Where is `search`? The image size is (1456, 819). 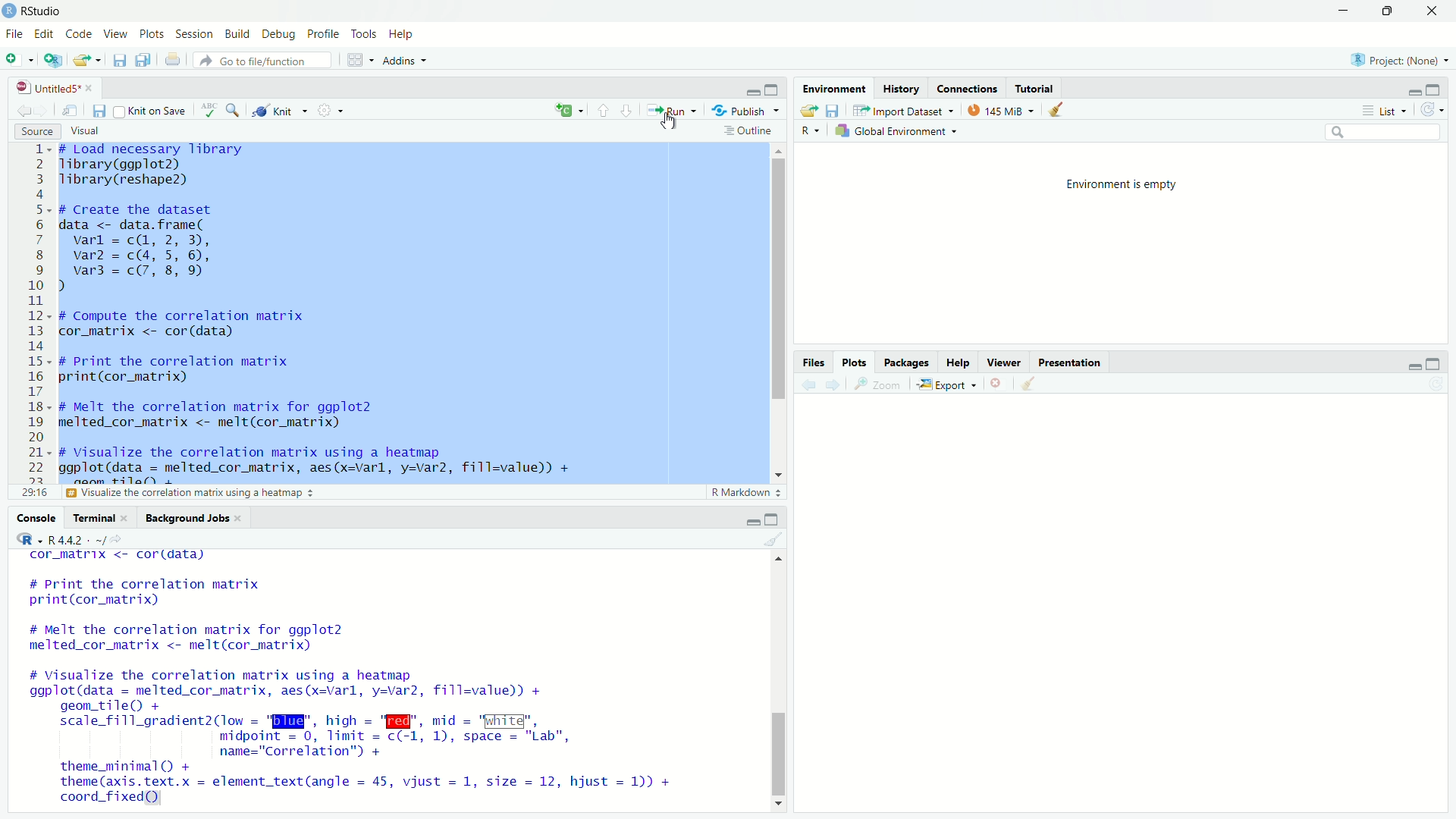
search is located at coordinates (1384, 132).